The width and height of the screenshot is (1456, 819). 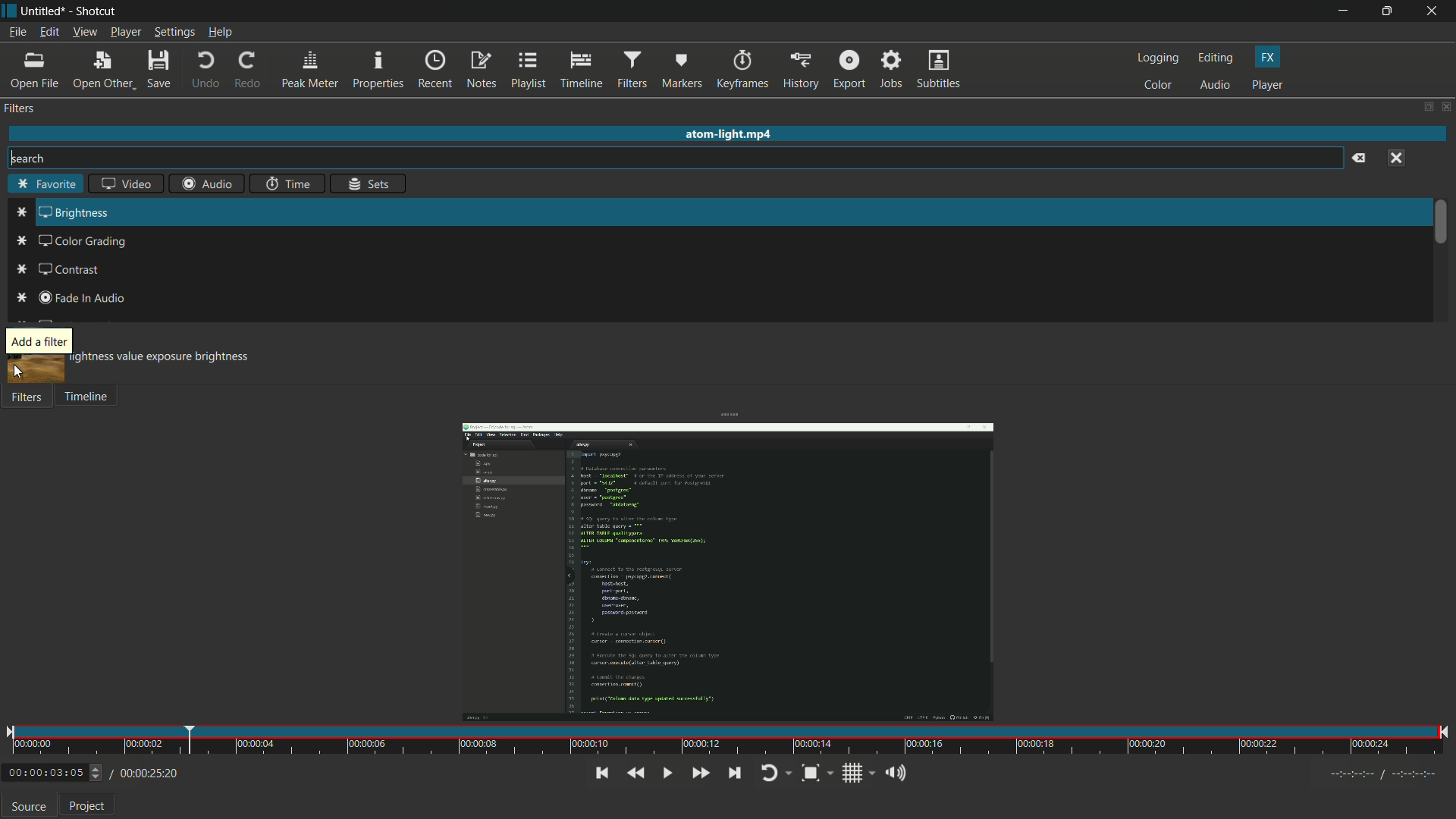 What do you see at coordinates (175, 33) in the screenshot?
I see `settings menu` at bounding box center [175, 33].